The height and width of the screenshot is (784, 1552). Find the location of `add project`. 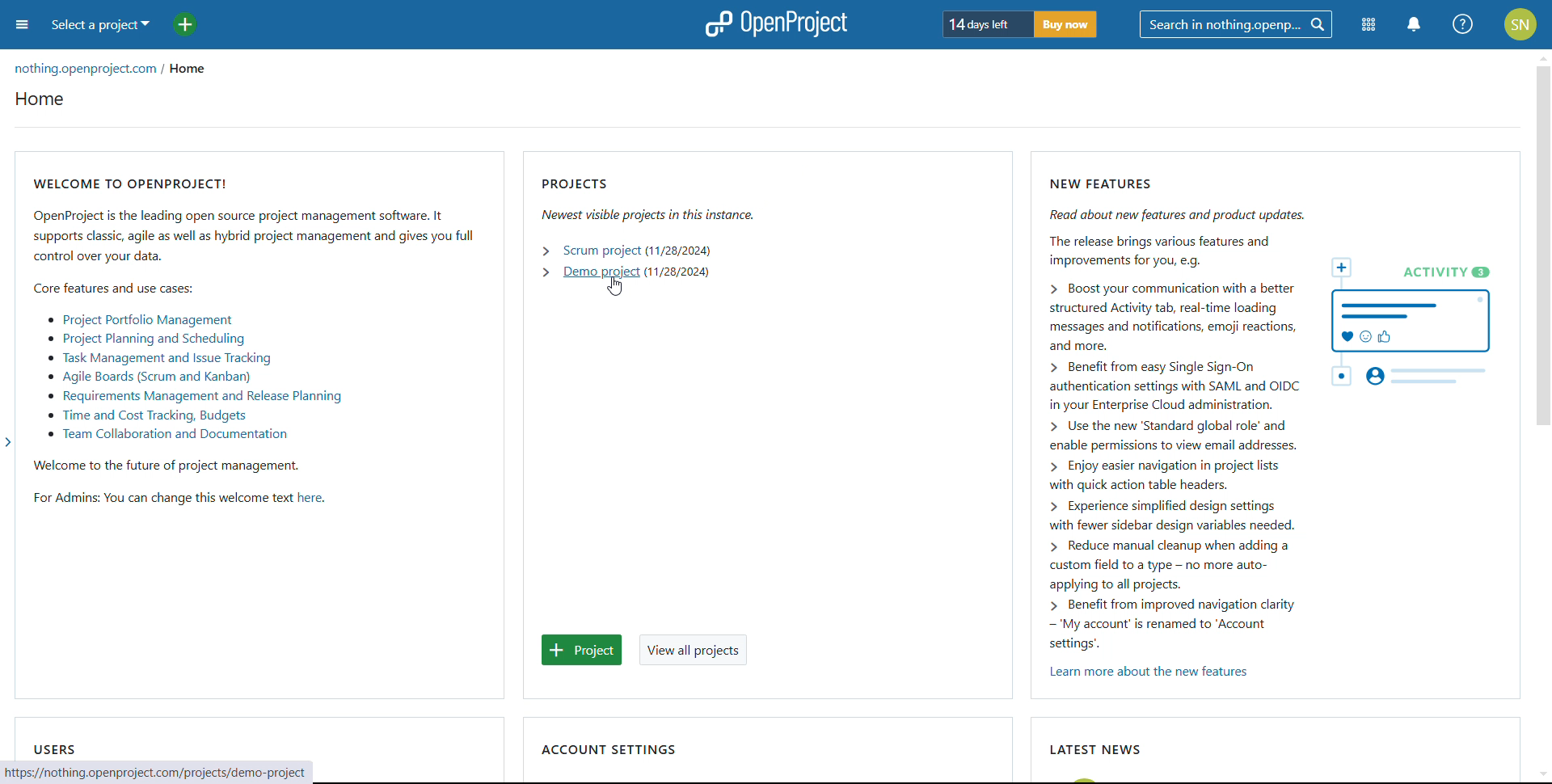

add project is located at coordinates (185, 24).